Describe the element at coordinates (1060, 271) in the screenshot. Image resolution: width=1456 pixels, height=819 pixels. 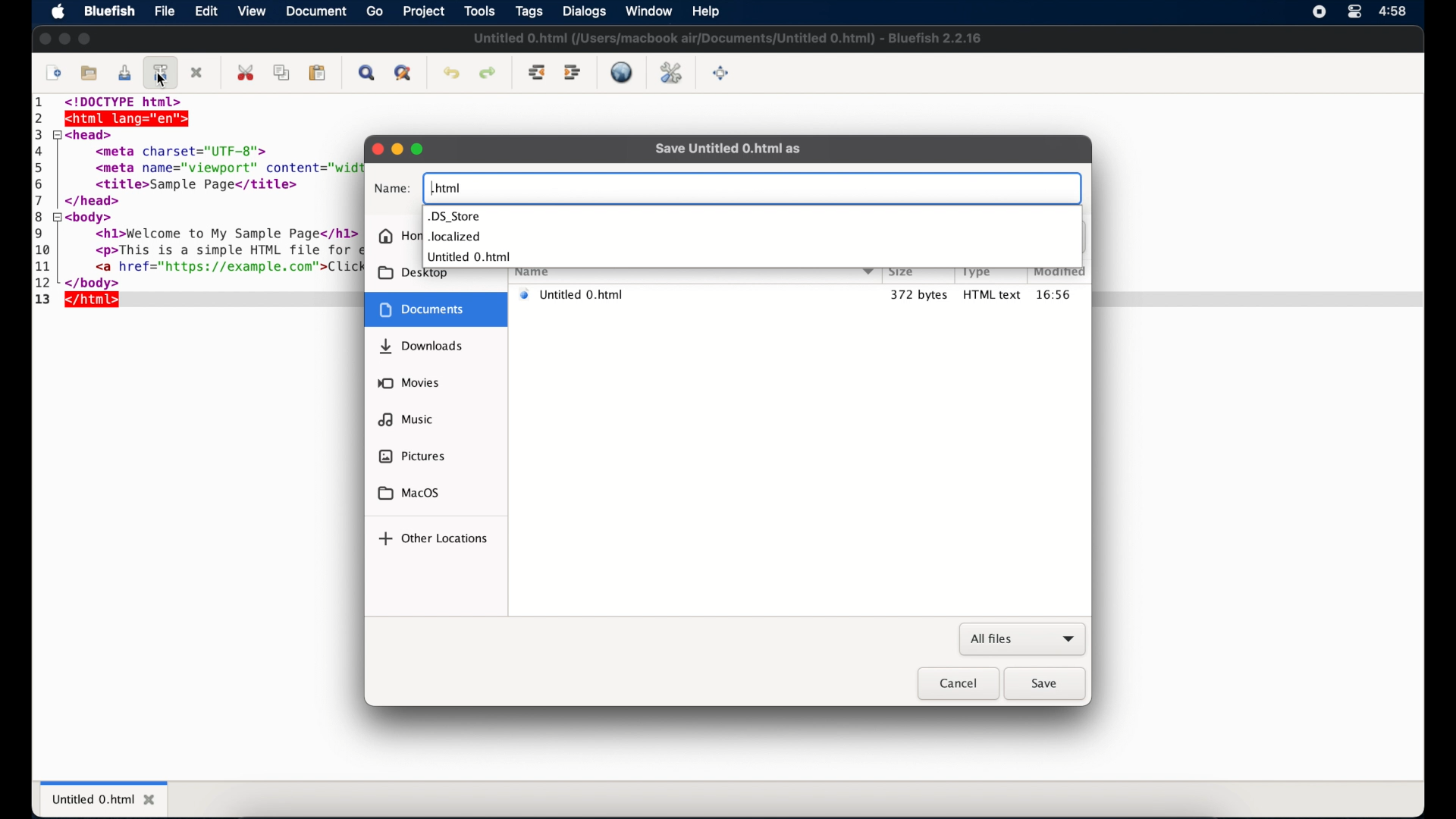
I see `modified` at that location.